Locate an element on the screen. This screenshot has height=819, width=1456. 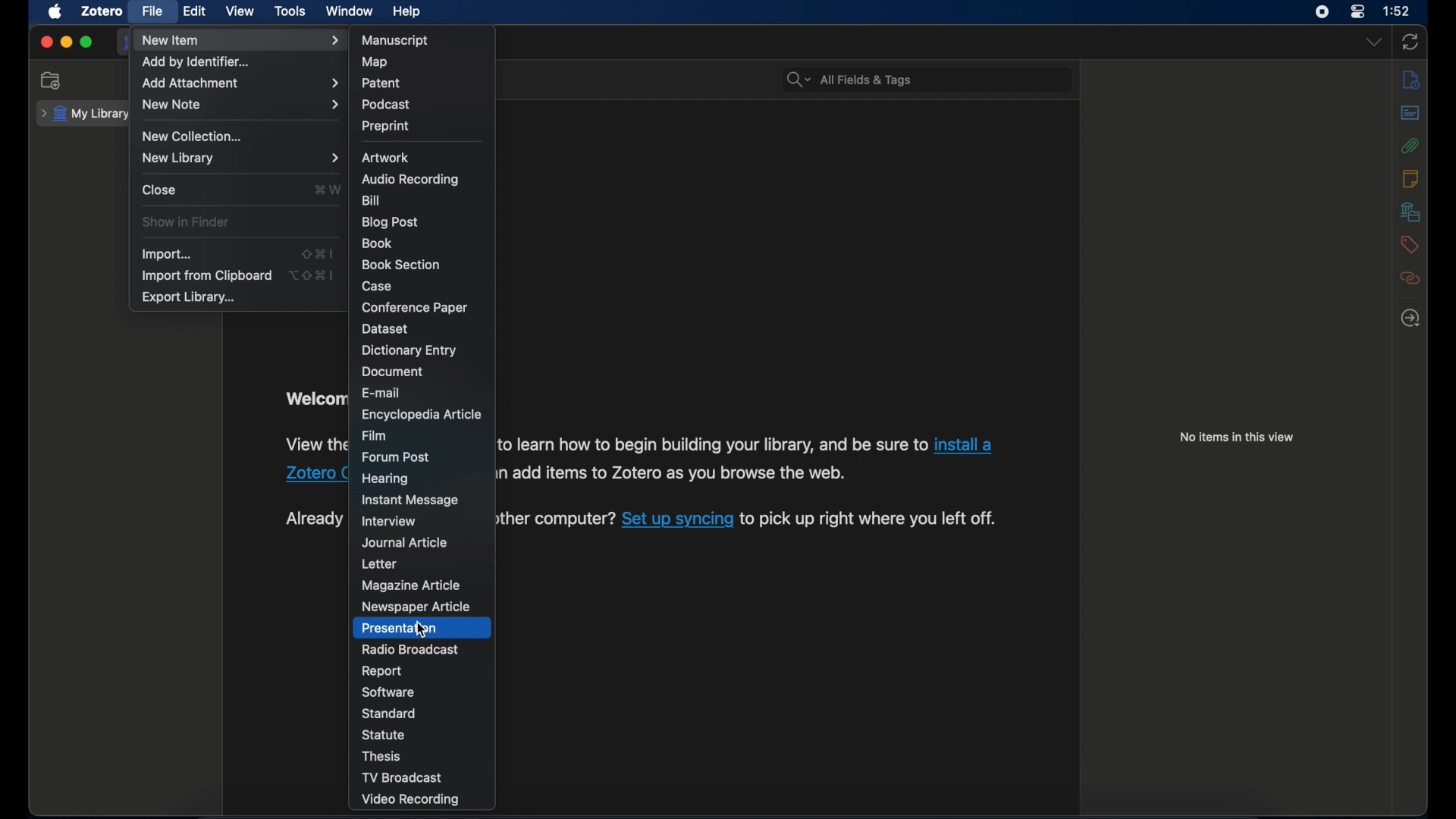
blog post is located at coordinates (390, 222).